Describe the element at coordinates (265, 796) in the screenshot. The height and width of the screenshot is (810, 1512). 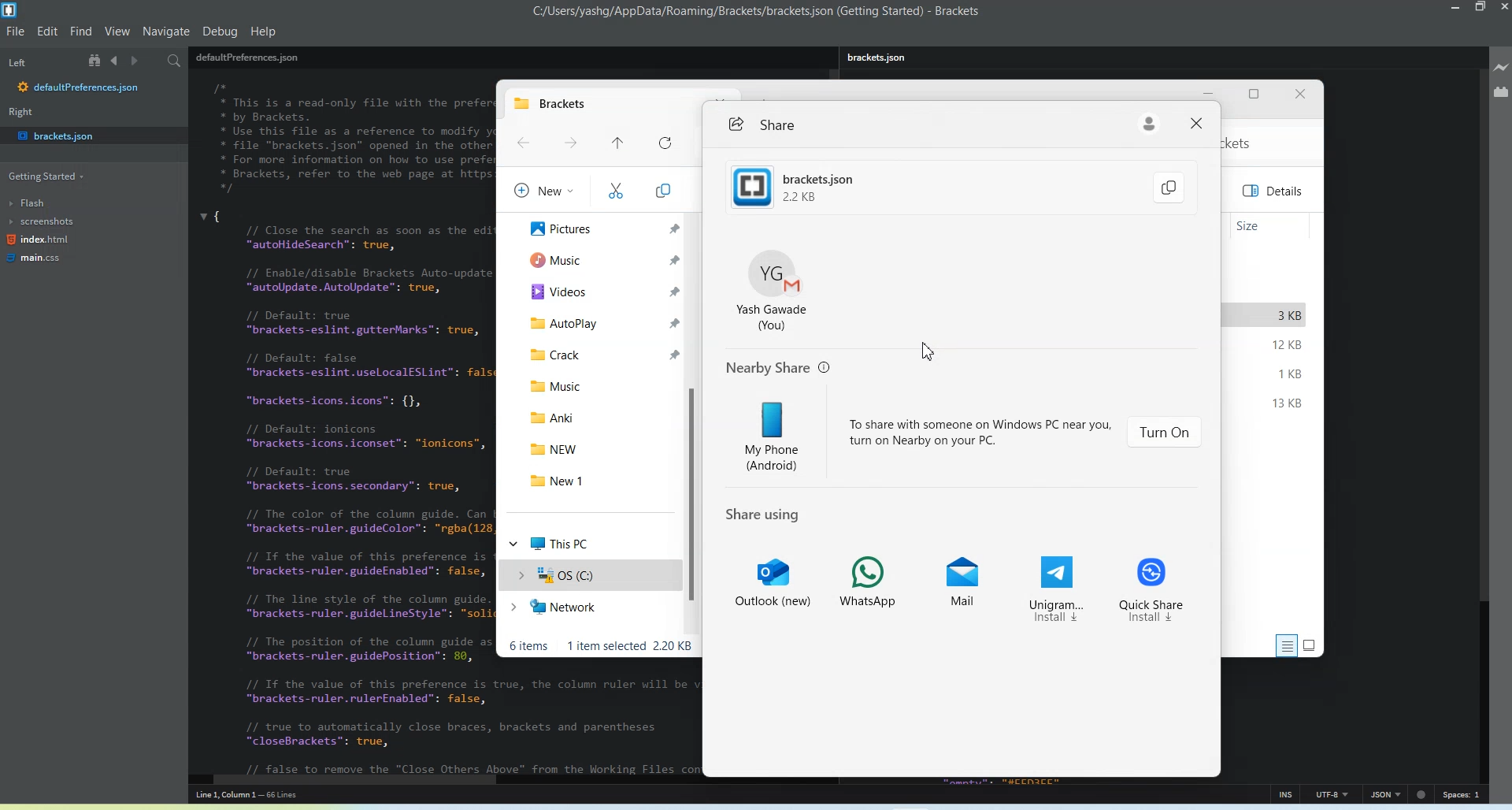
I see `line 1, column 1 - 66 lines` at that location.